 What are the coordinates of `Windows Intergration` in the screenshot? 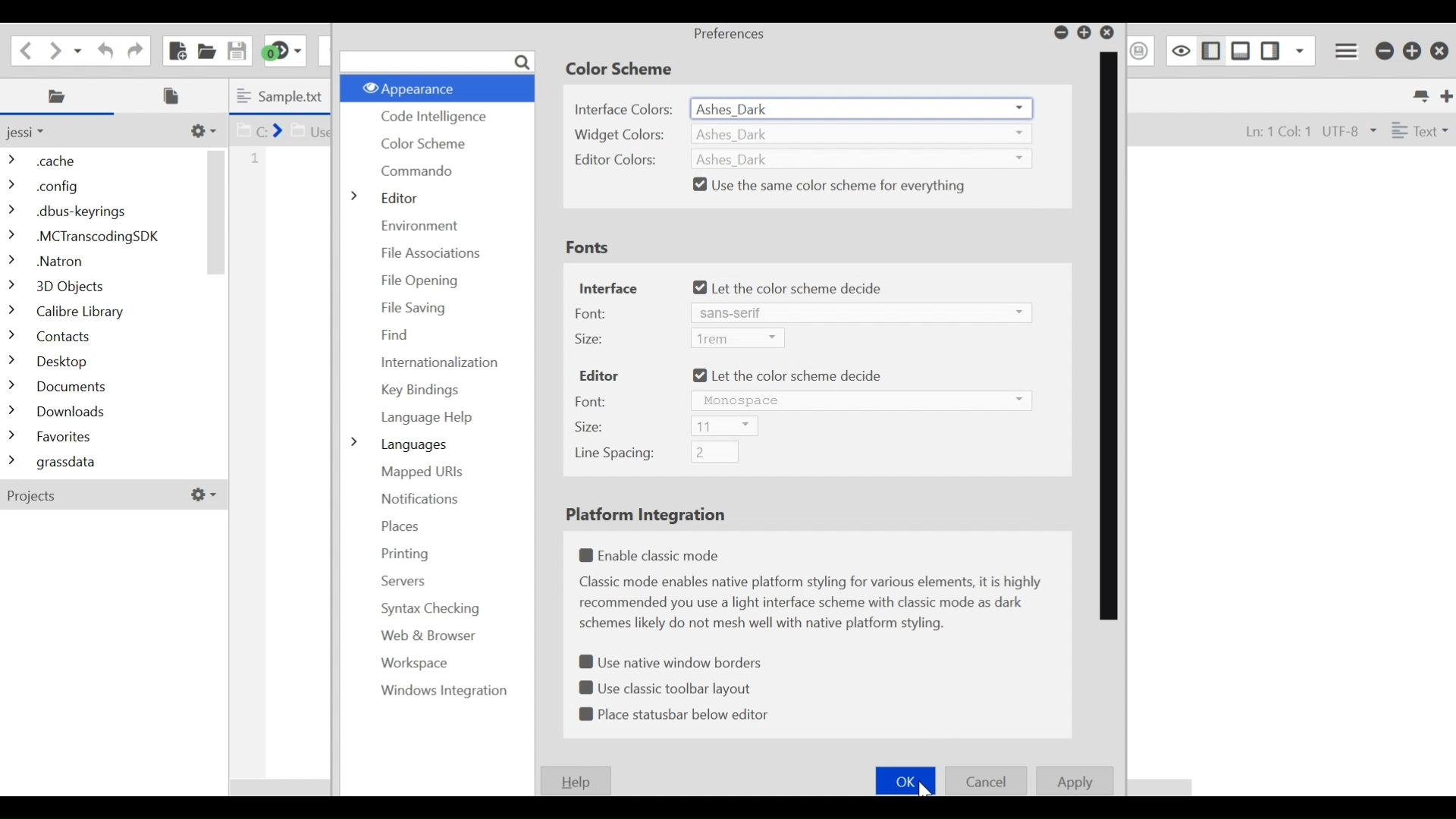 It's located at (435, 691).